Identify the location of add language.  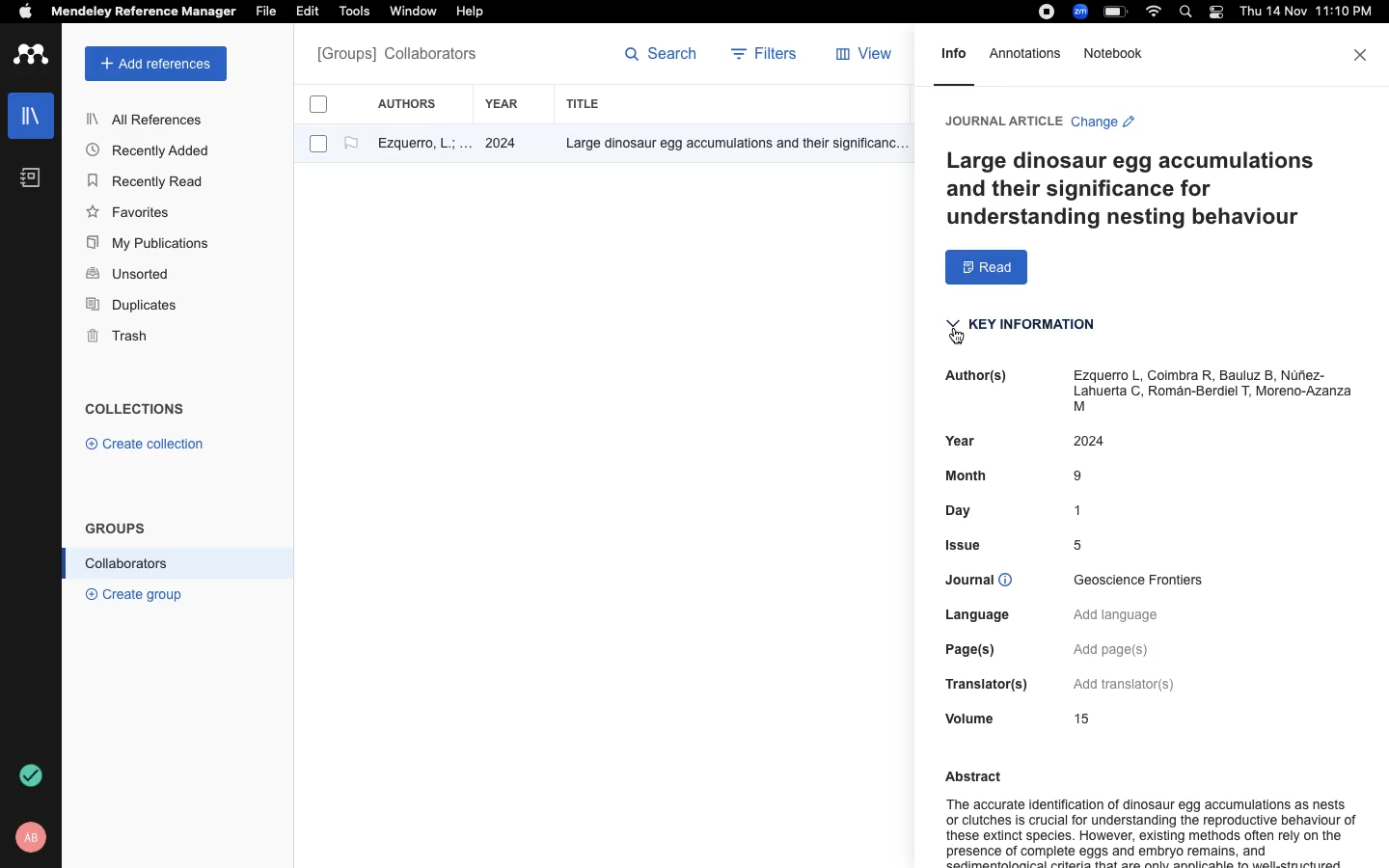
(1120, 616).